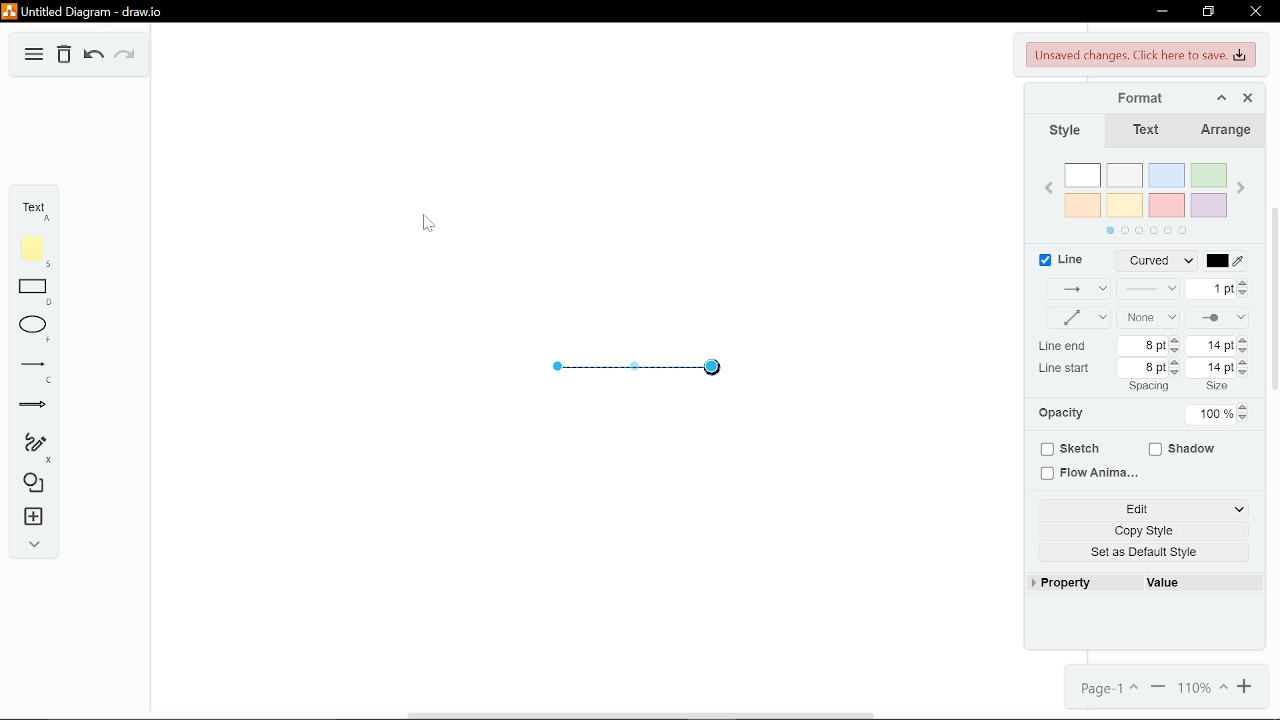  What do you see at coordinates (642, 385) in the screenshot?
I see `Arrow changed to round shape` at bounding box center [642, 385].